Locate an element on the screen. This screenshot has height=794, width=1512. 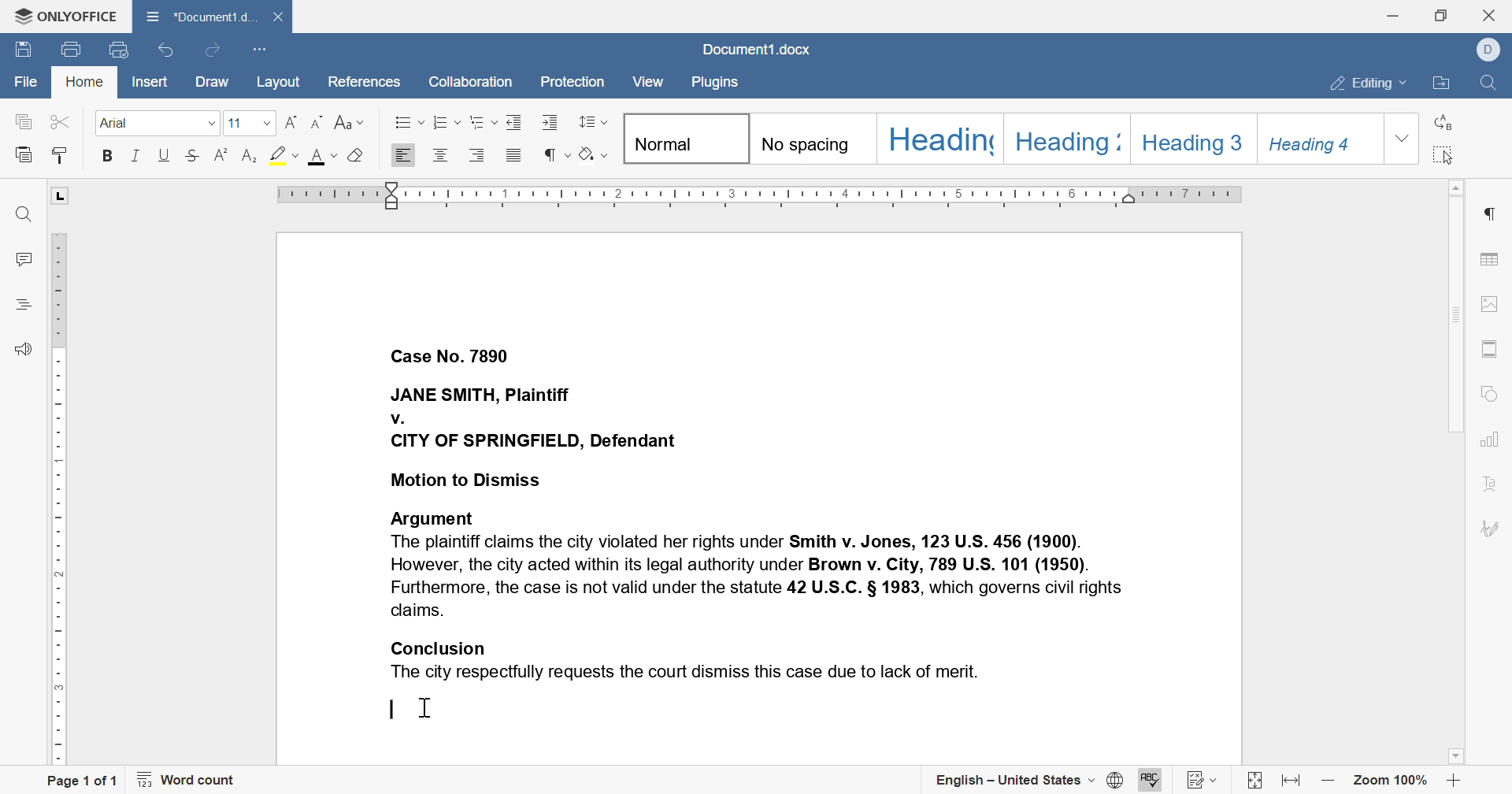
view is located at coordinates (648, 81).